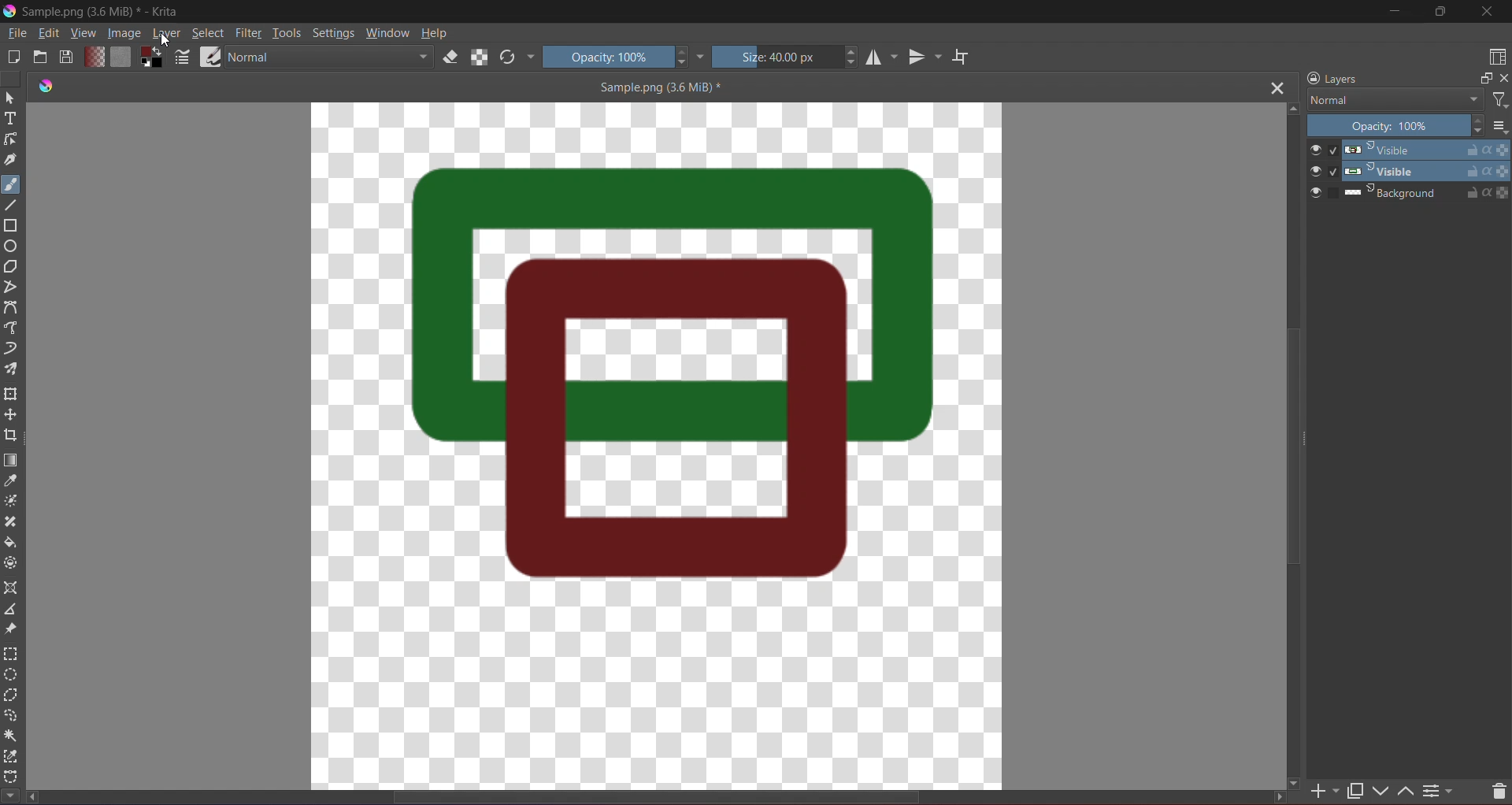 This screenshot has width=1512, height=805. I want to click on Layers, so click(1332, 78).